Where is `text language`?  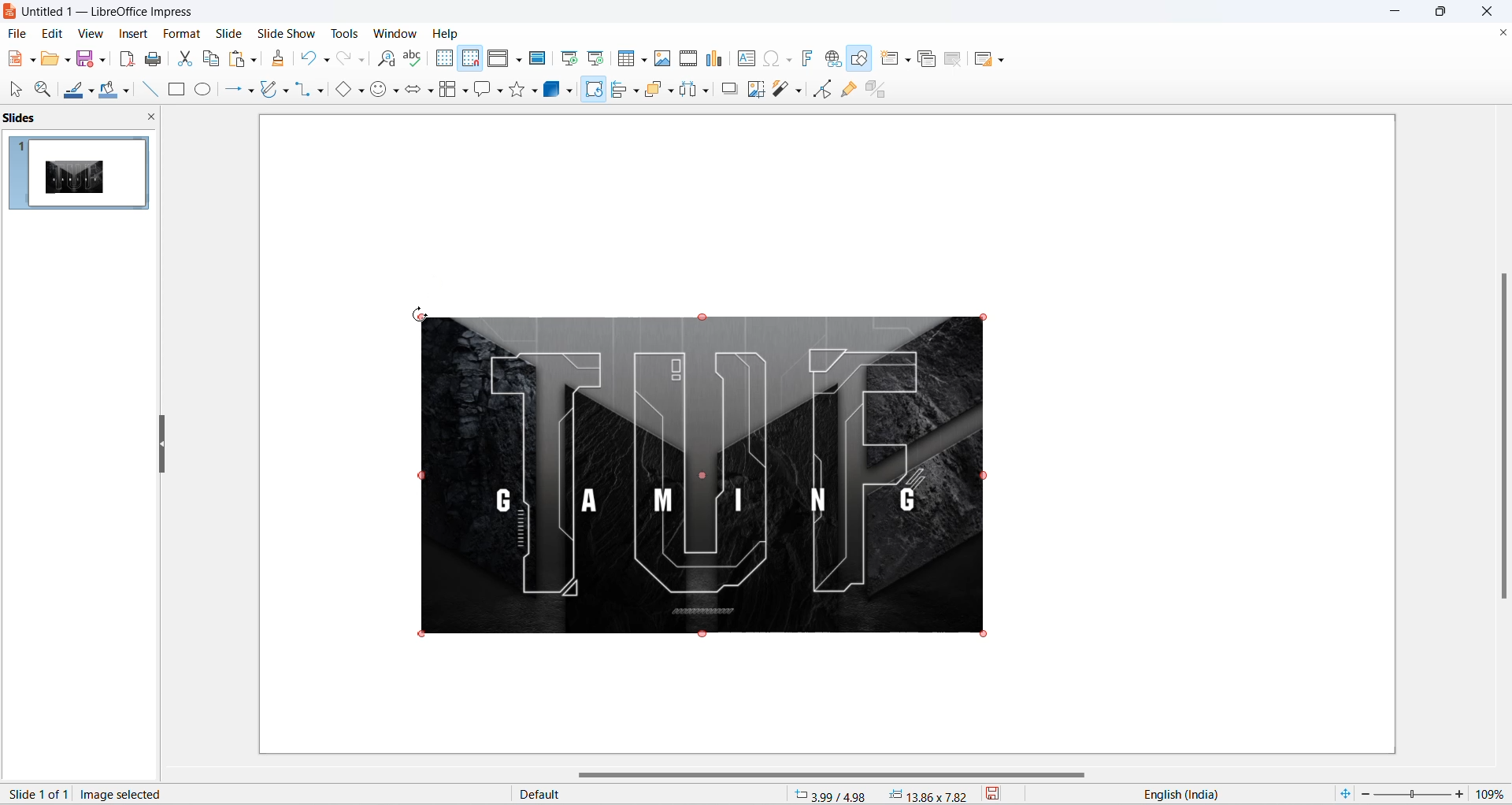
text language is located at coordinates (1220, 794).